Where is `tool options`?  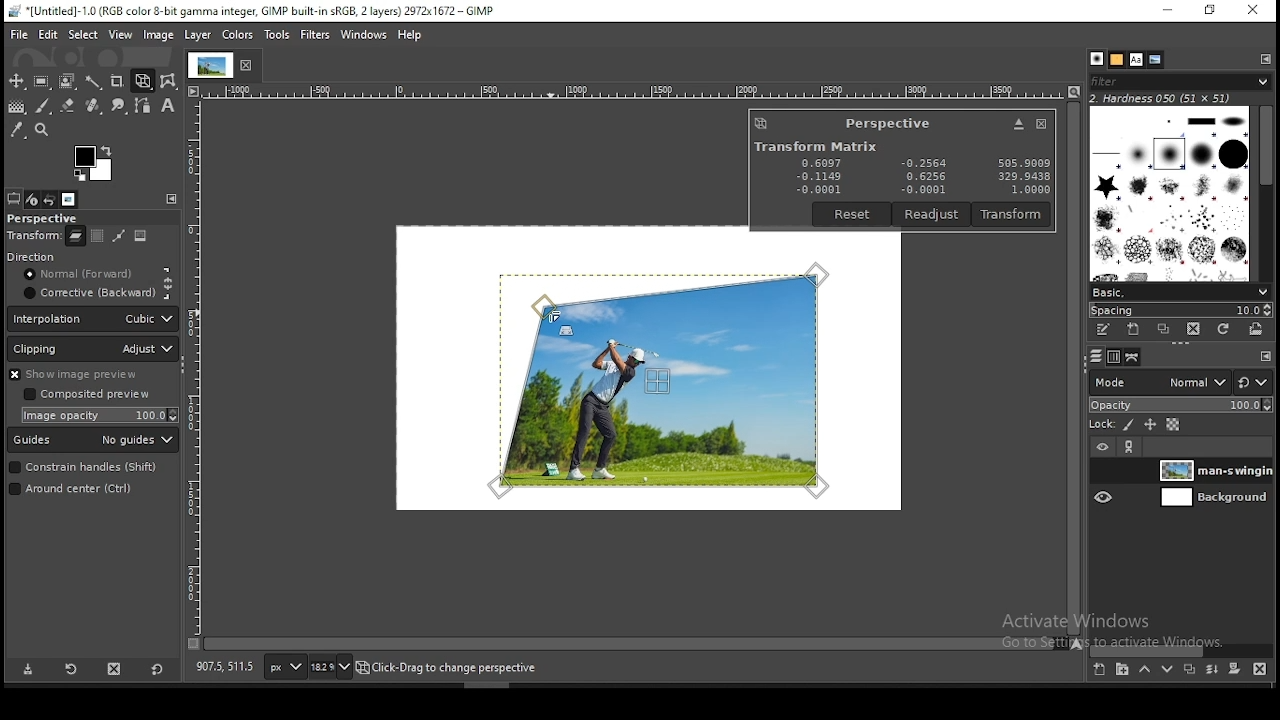
tool options is located at coordinates (13, 198).